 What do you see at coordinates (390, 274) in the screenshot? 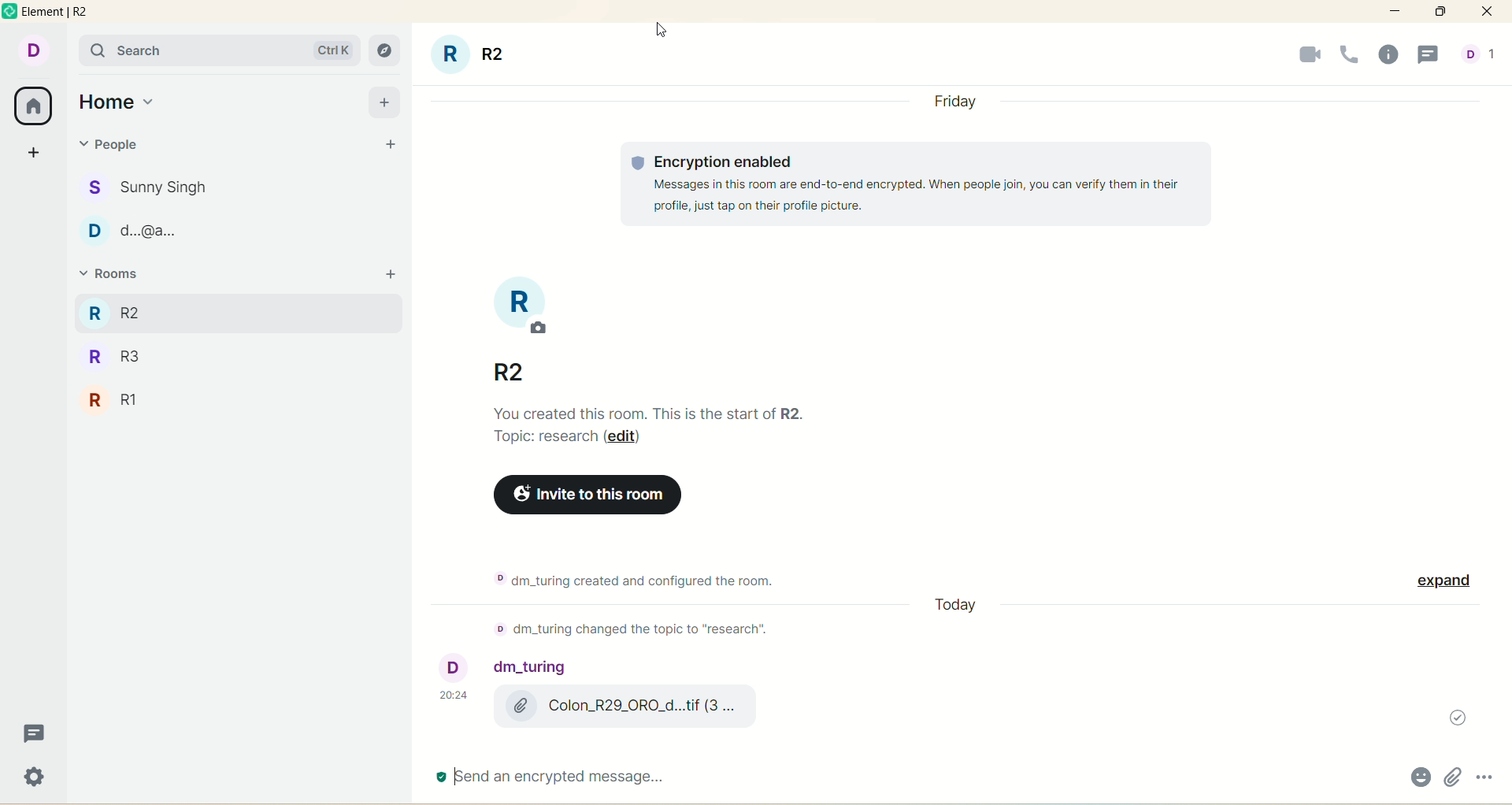
I see `add` at bounding box center [390, 274].